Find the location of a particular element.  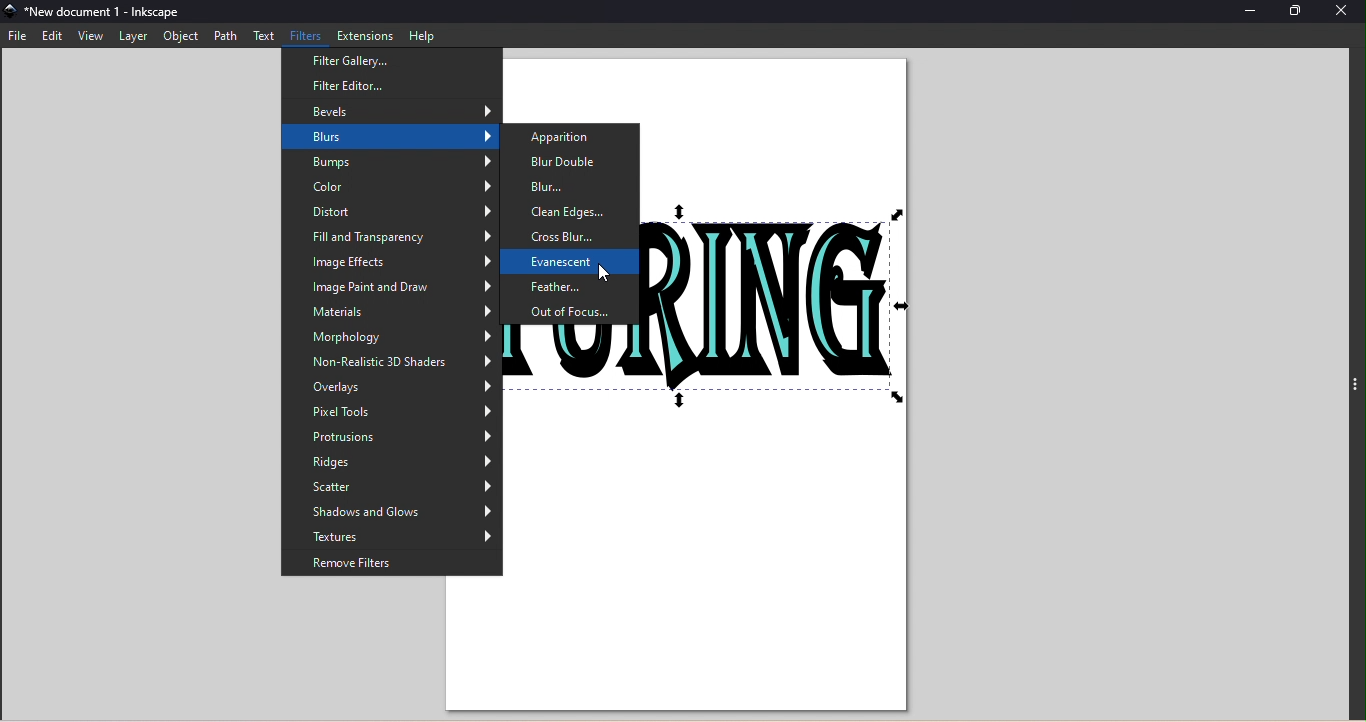

Out of focus is located at coordinates (573, 311).